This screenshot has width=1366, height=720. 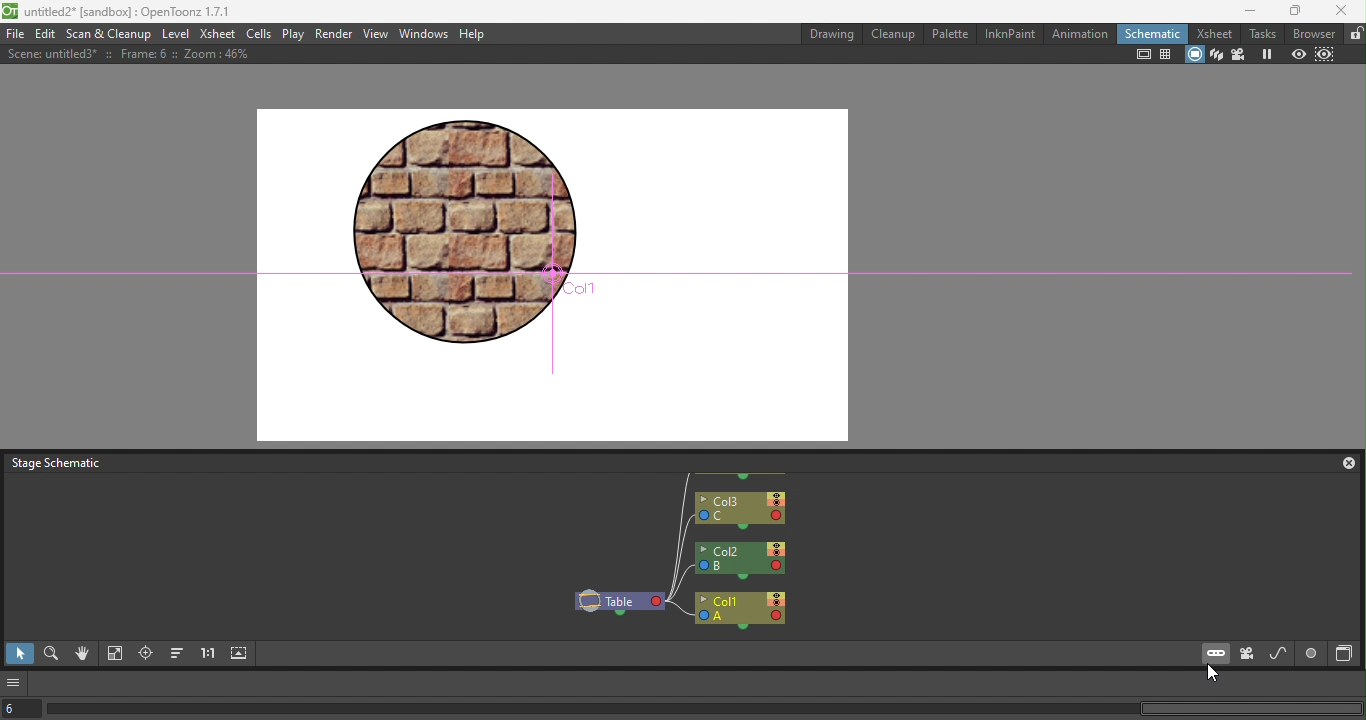 What do you see at coordinates (217, 34) in the screenshot?
I see `Xsheet` at bounding box center [217, 34].